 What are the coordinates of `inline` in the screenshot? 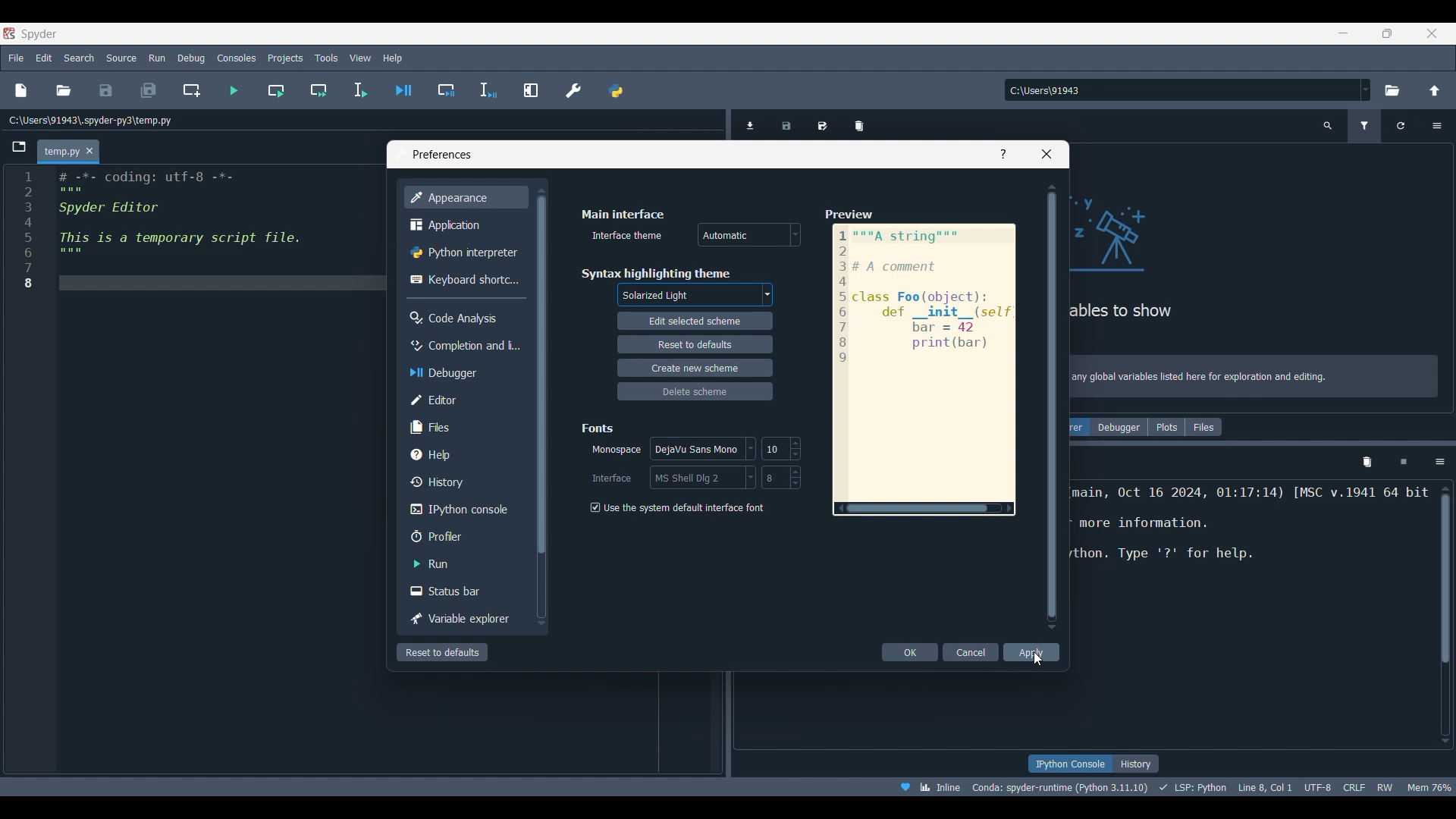 It's located at (927, 786).